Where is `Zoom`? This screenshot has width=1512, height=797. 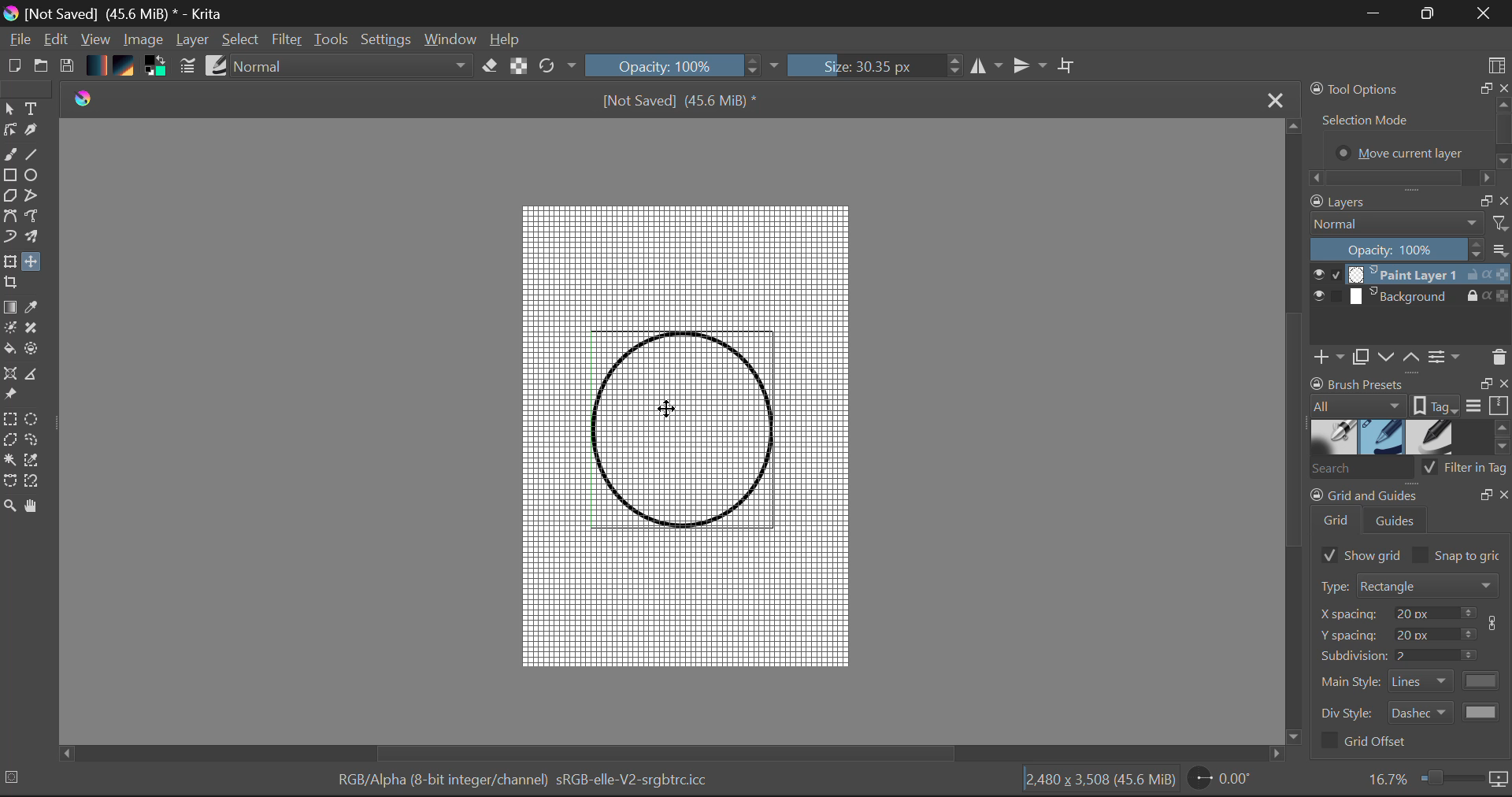 Zoom is located at coordinates (1436, 780).